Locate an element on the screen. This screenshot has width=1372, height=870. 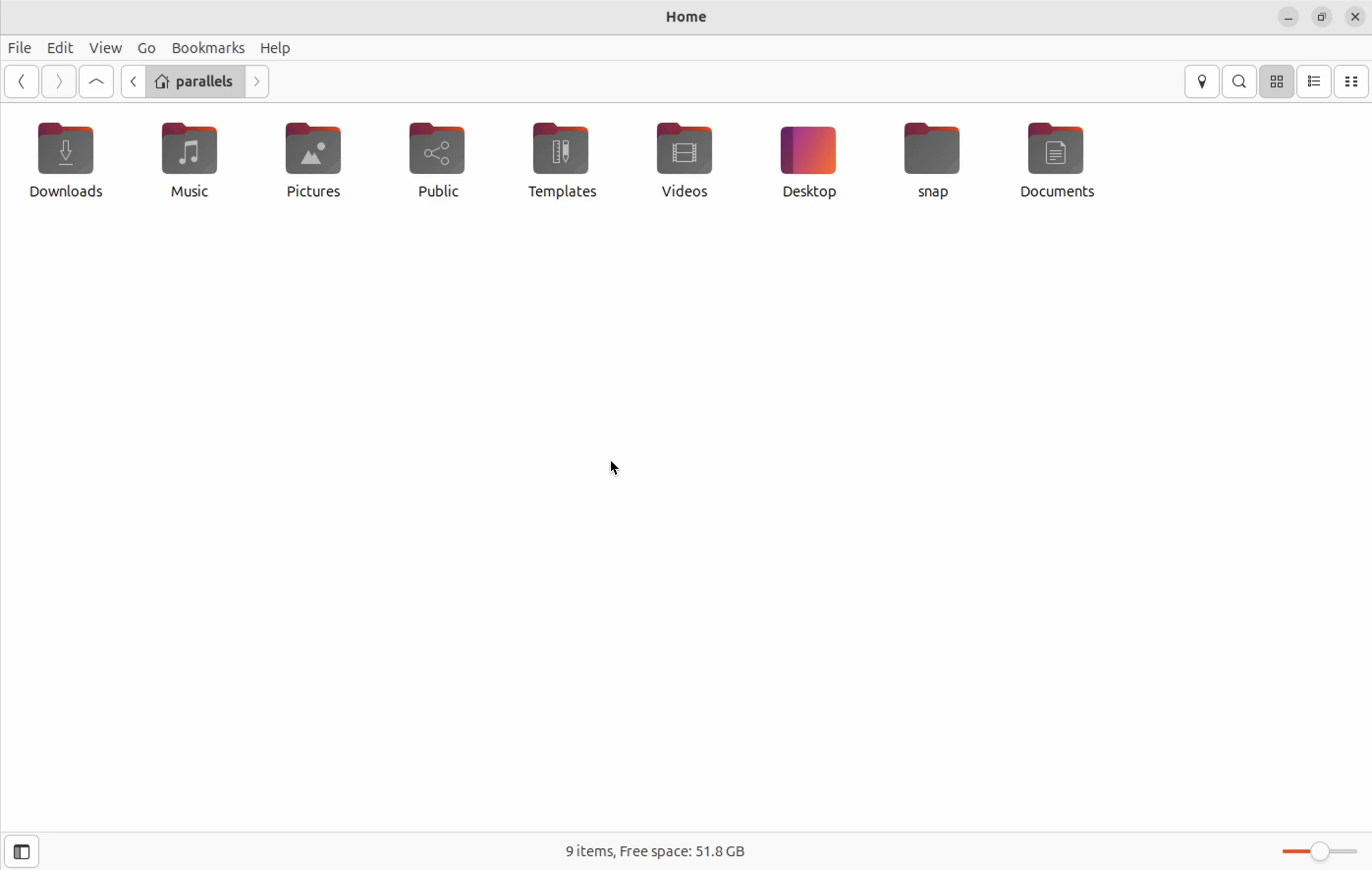
show sidebar is located at coordinates (22, 851).